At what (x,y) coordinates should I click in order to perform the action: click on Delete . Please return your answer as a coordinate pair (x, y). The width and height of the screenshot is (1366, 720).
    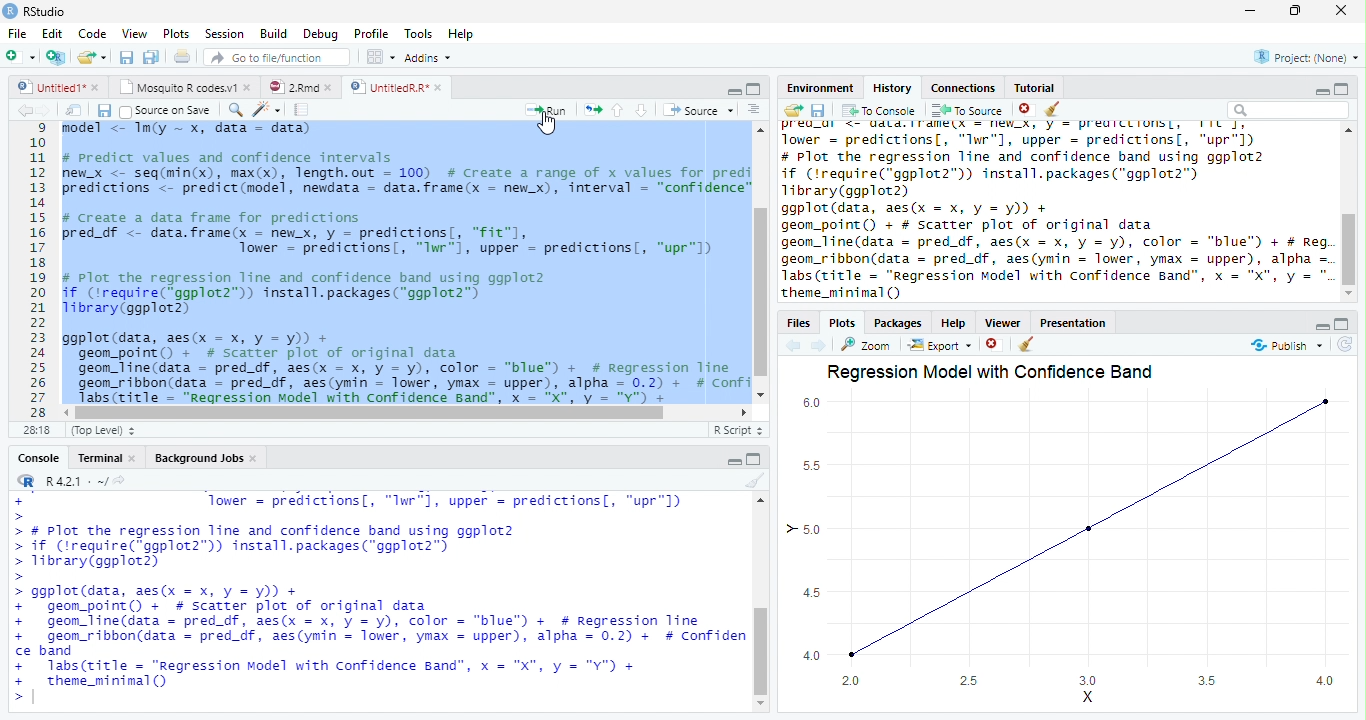
    Looking at the image, I should click on (994, 345).